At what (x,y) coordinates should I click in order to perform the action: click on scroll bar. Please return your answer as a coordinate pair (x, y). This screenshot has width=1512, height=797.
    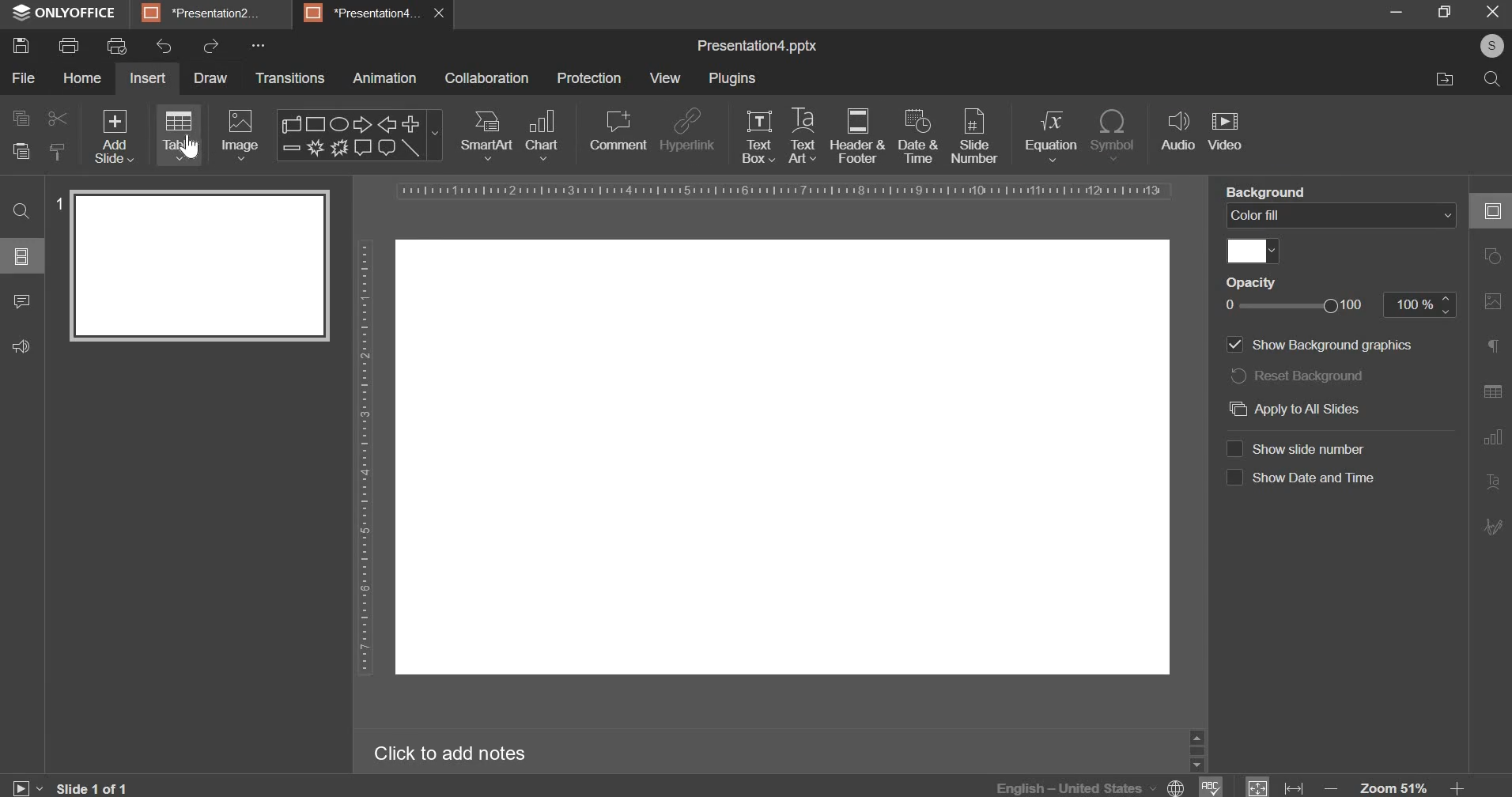
    Looking at the image, I should click on (1198, 749).